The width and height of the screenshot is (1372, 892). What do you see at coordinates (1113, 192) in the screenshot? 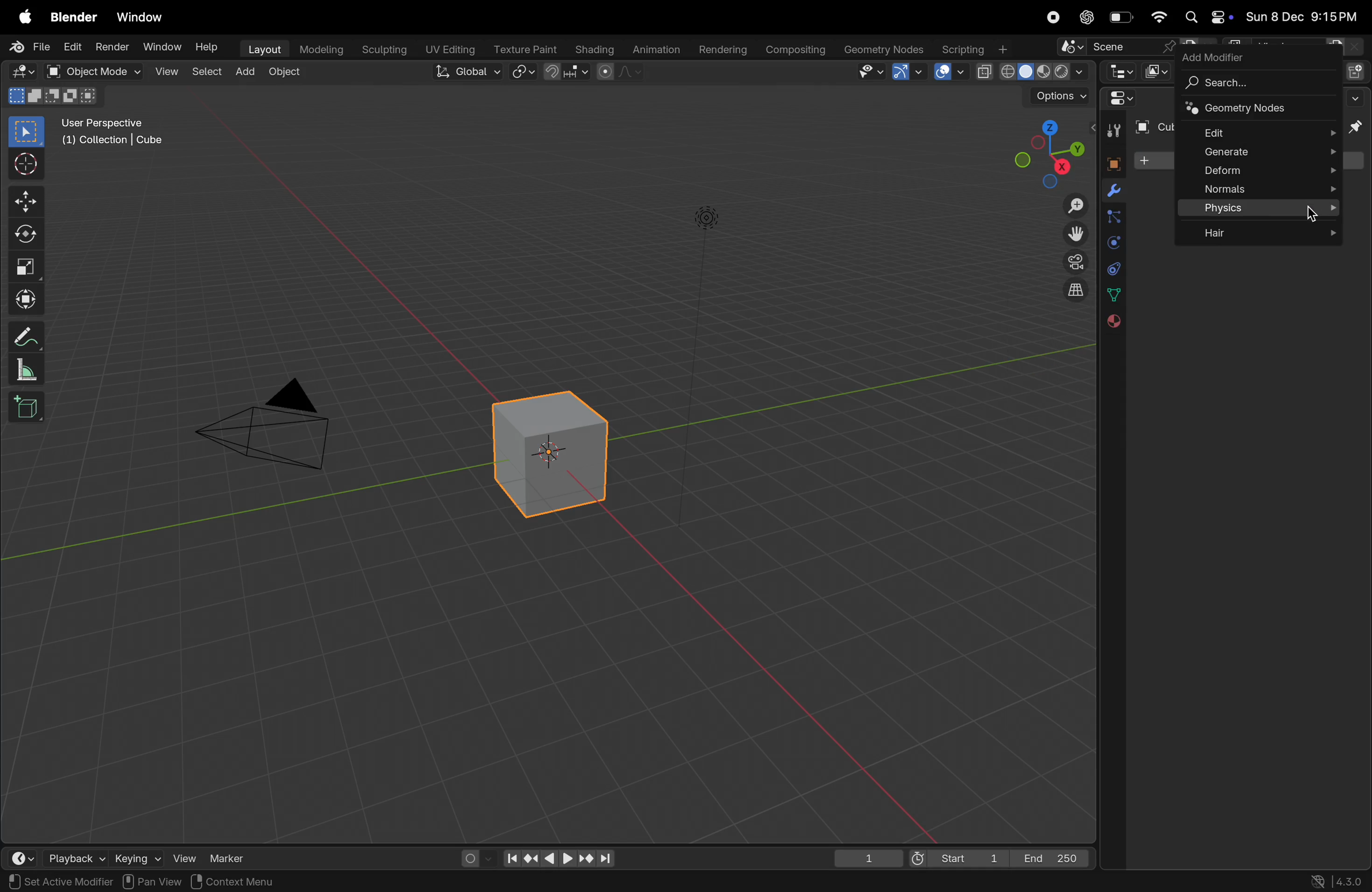
I see `modifiers` at bounding box center [1113, 192].